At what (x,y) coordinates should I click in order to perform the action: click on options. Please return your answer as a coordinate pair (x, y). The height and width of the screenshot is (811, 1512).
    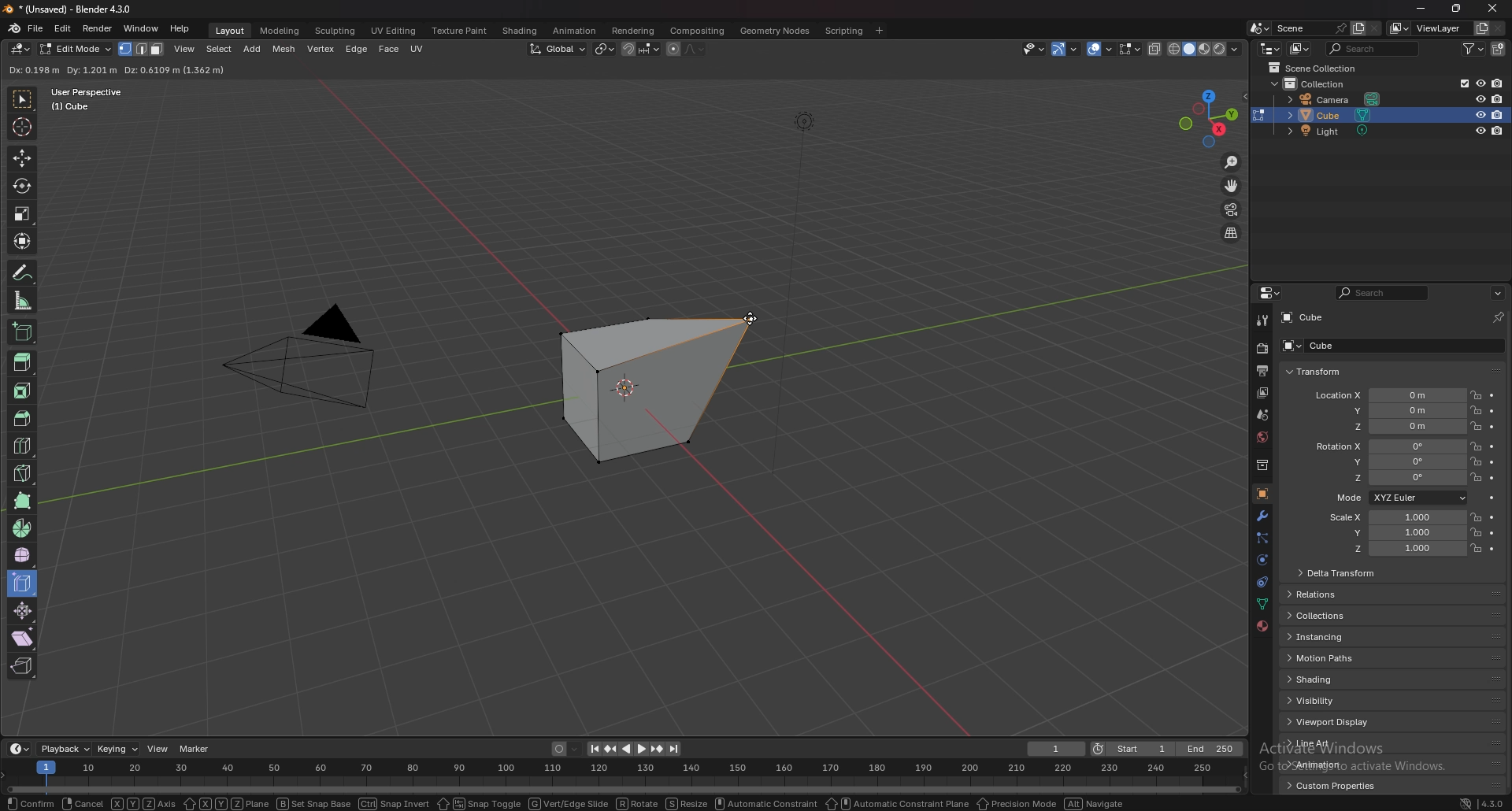
    Looking at the image, I should click on (1498, 292).